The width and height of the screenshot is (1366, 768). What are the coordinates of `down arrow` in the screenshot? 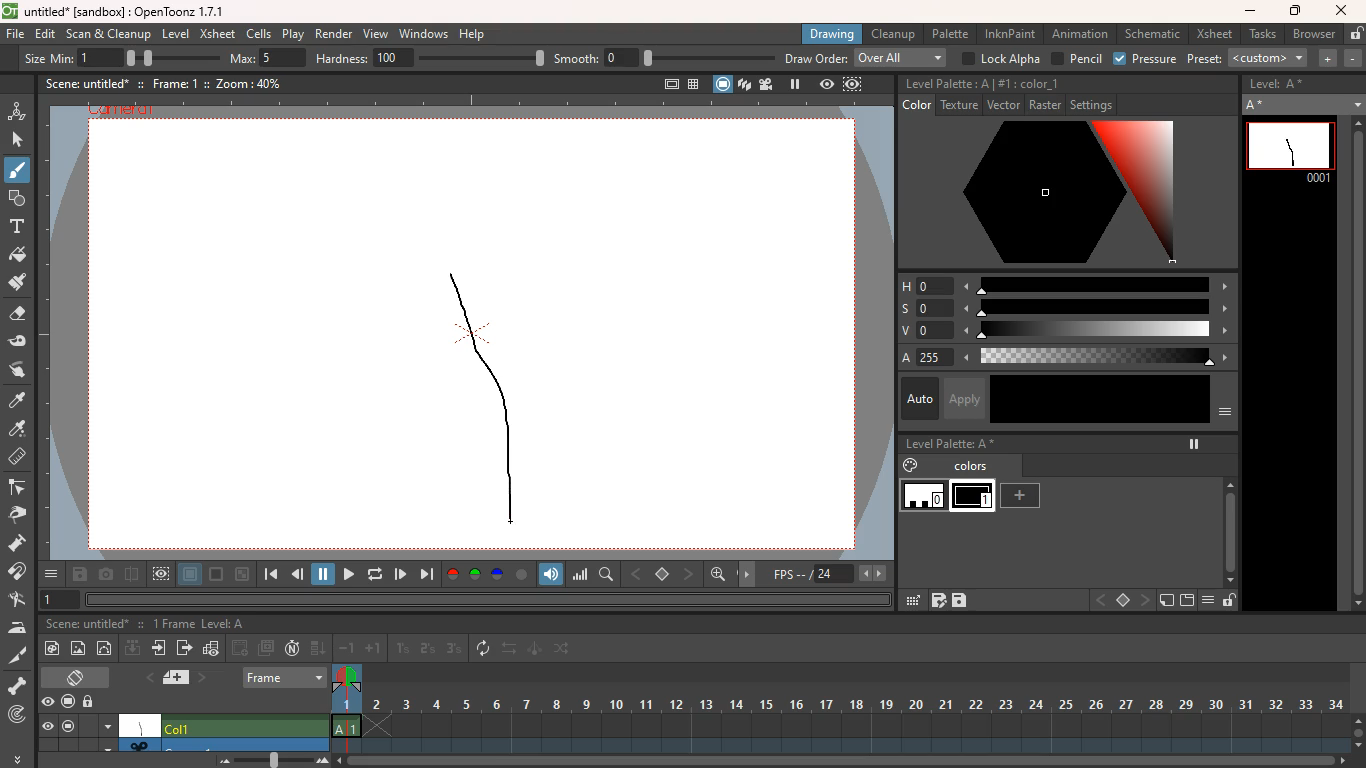 It's located at (106, 746).